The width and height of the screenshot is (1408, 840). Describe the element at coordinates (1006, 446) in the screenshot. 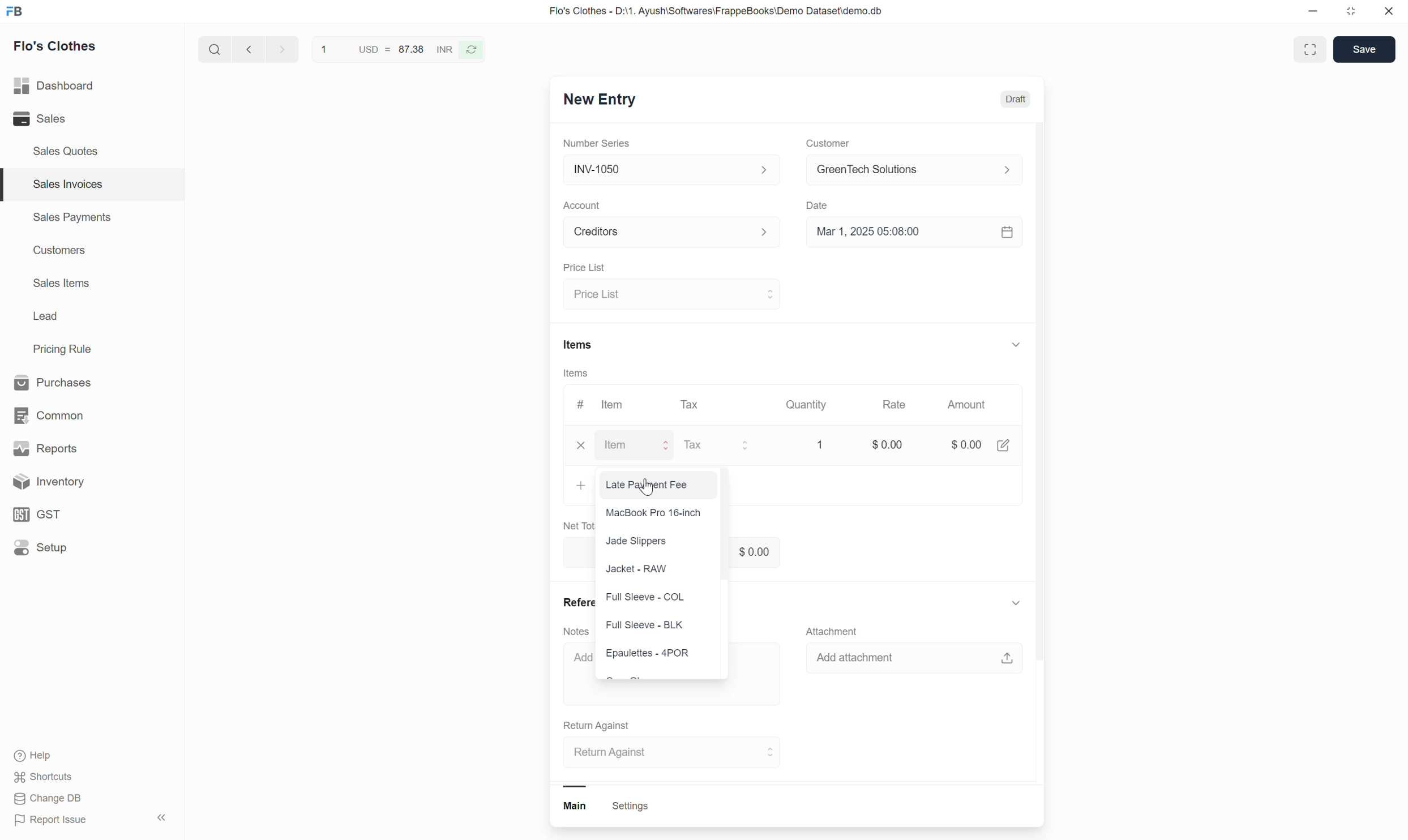

I see `edit amount ` at that location.